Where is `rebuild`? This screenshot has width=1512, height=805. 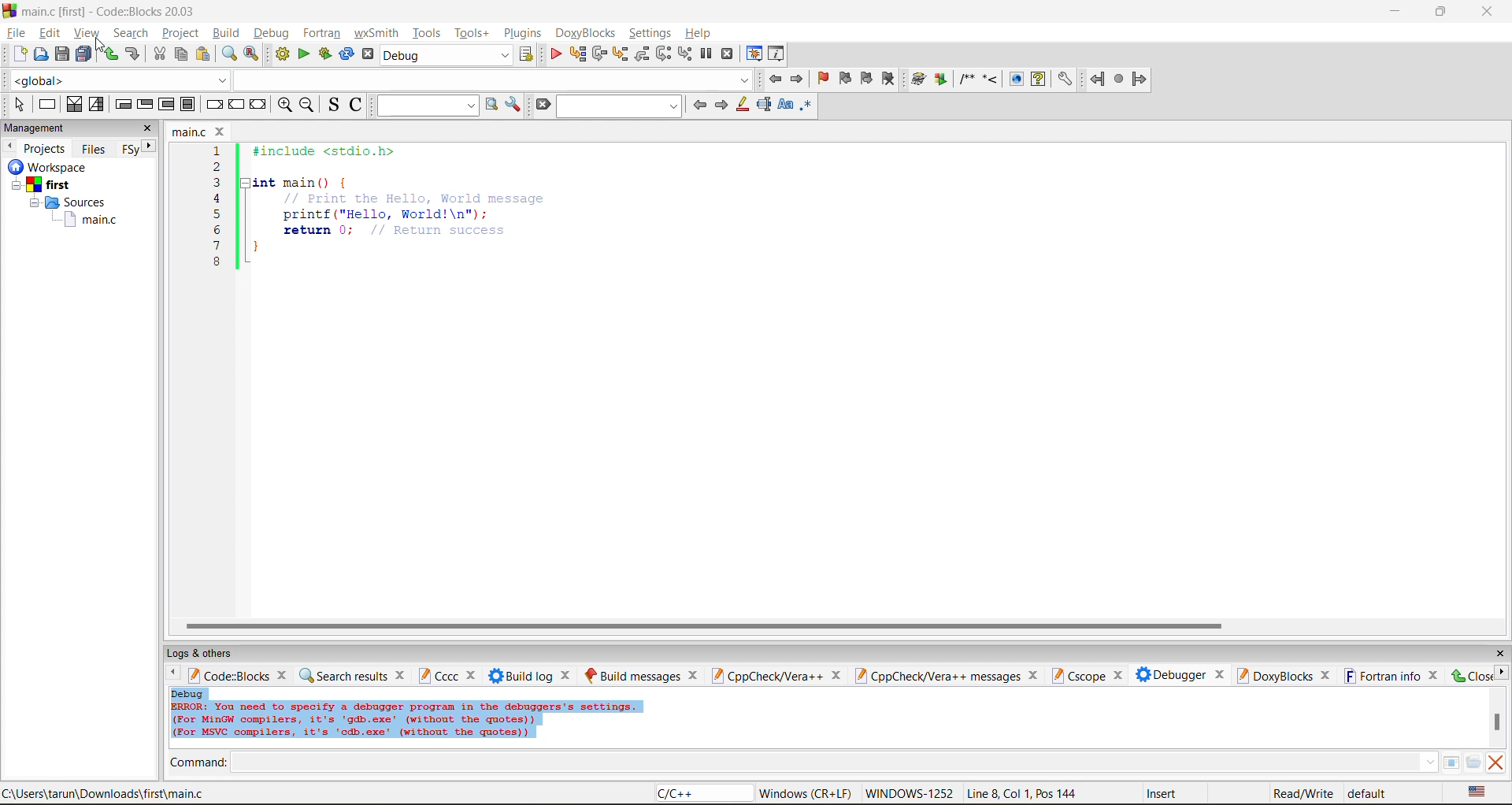
rebuild is located at coordinates (346, 54).